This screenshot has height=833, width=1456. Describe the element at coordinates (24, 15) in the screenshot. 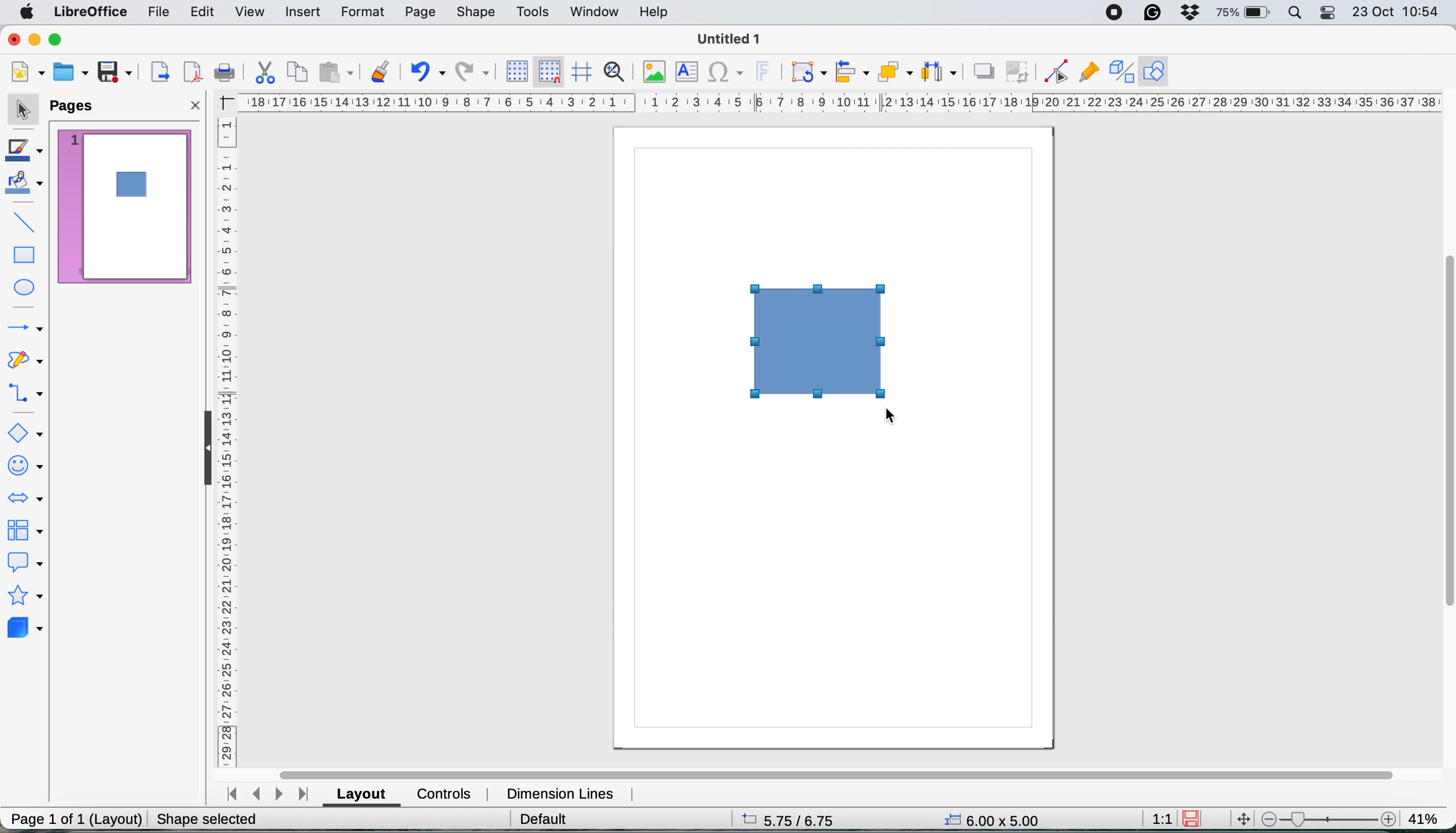

I see `system logo` at that location.